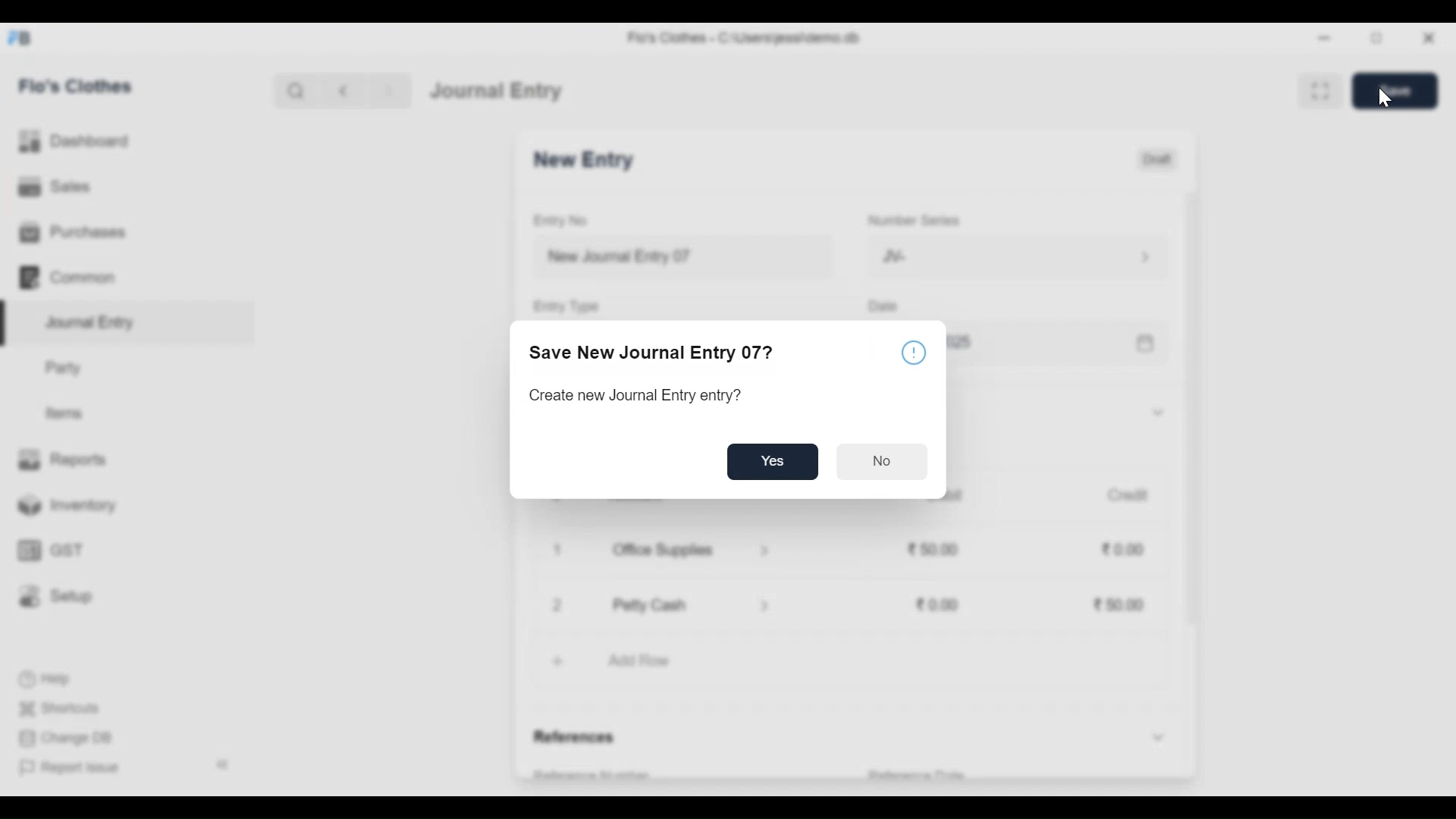 Image resolution: width=1456 pixels, height=819 pixels. I want to click on No, so click(884, 461).